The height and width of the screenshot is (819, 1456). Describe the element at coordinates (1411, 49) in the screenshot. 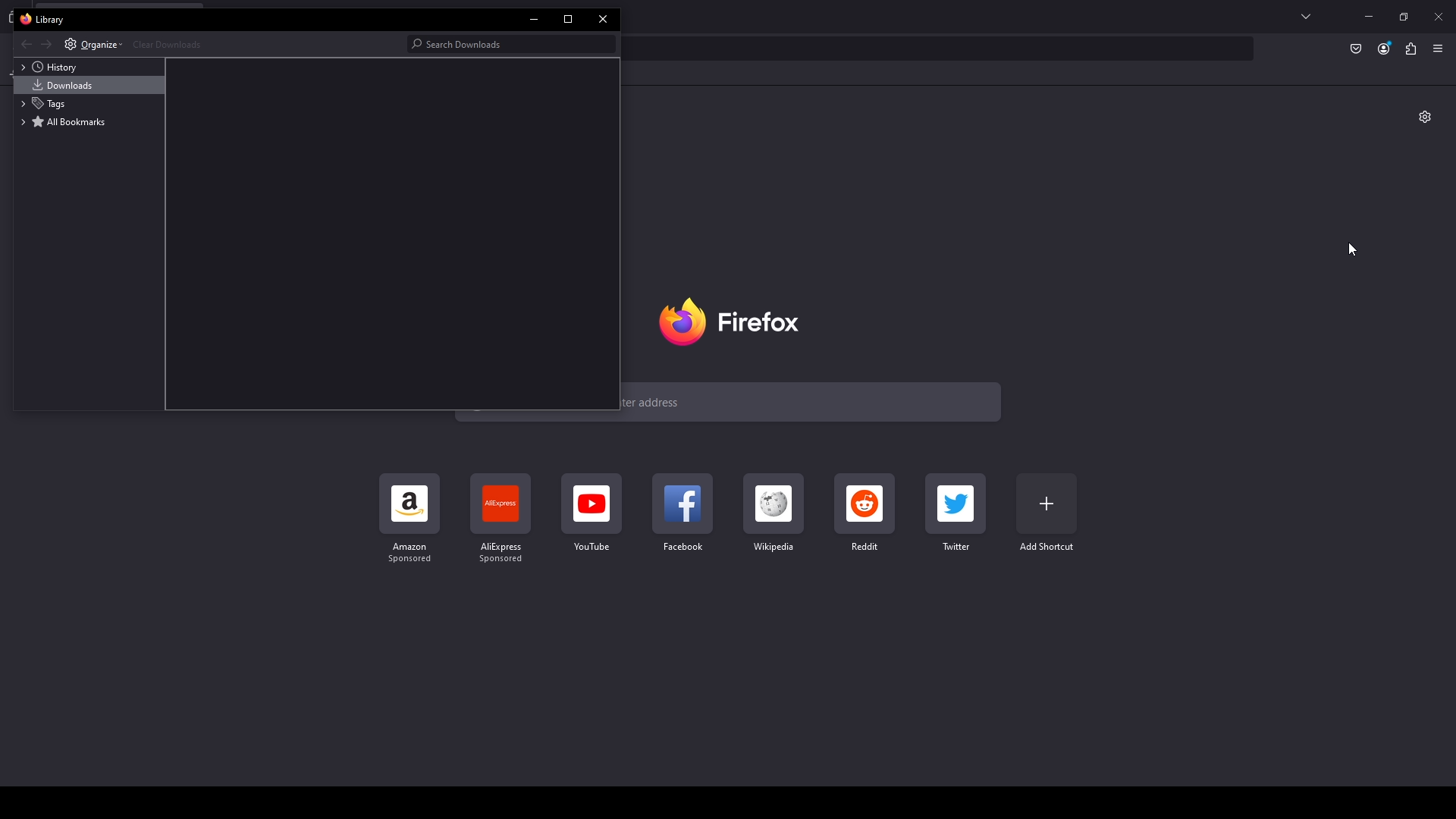

I see `Extensions` at that location.